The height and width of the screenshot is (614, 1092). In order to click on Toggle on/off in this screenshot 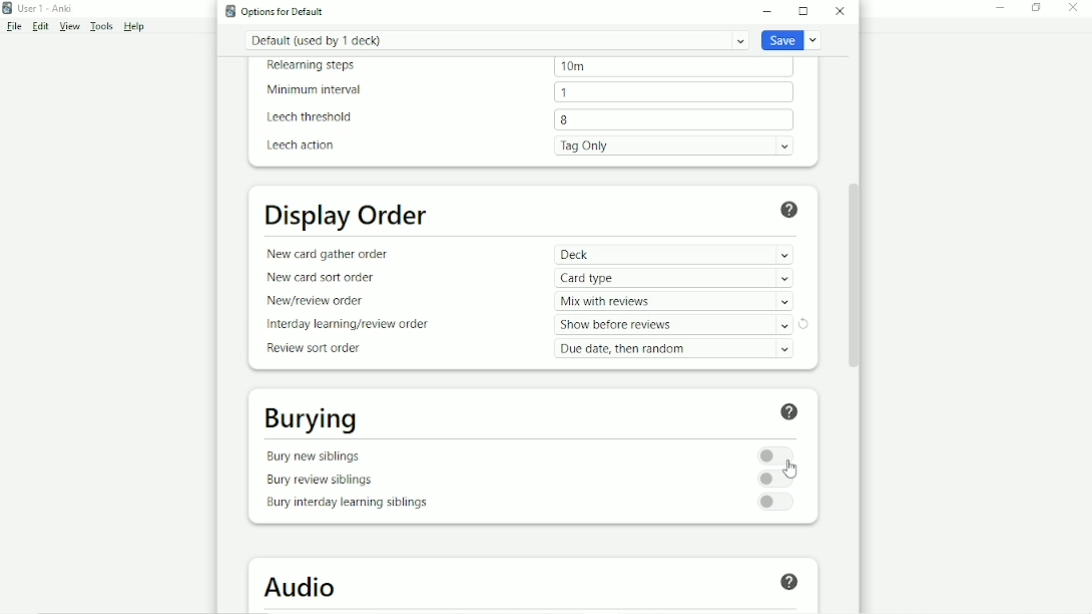, I will do `click(775, 479)`.